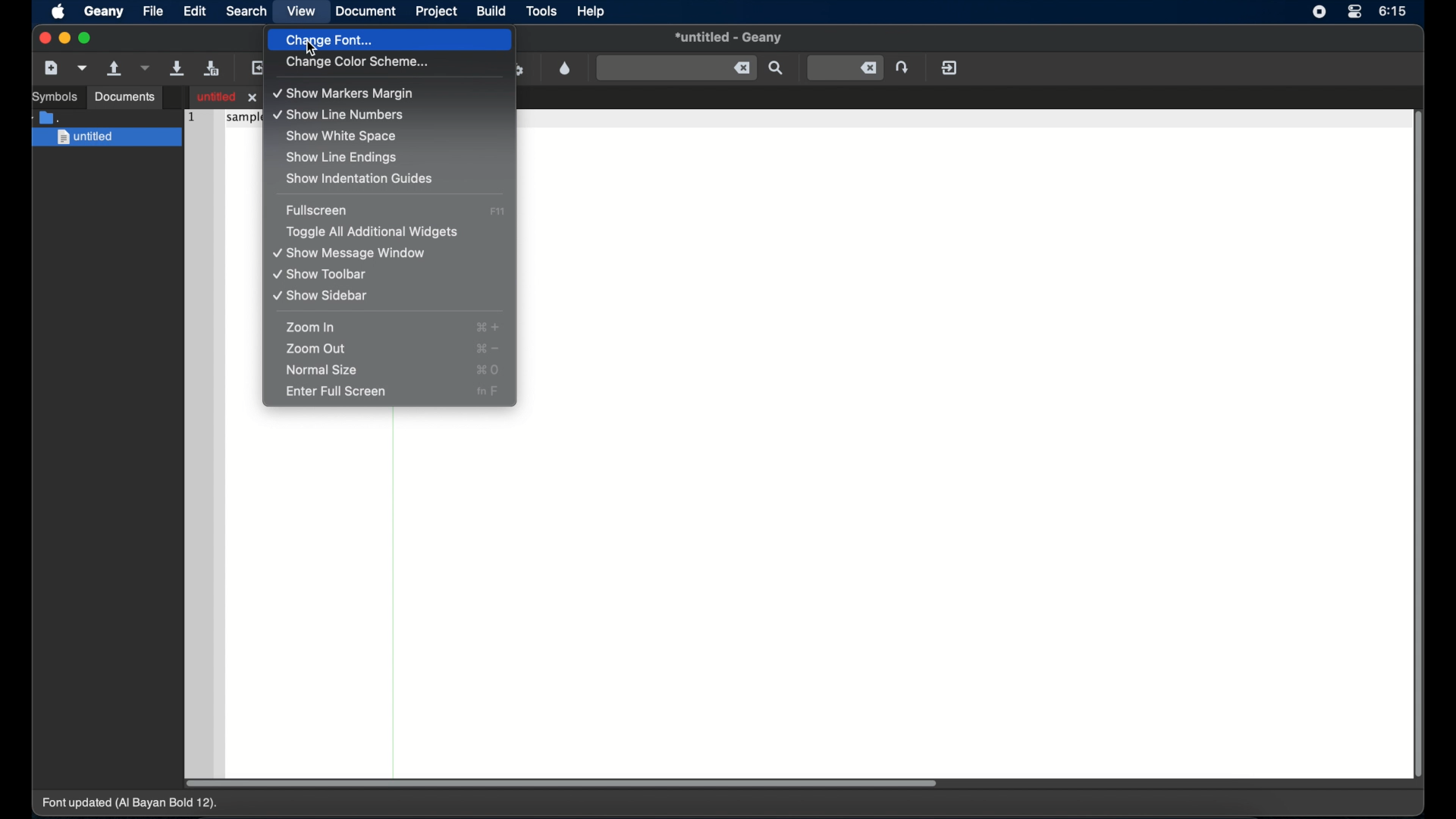 The width and height of the screenshot is (1456, 819). What do you see at coordinates (488, 370) in the screenshot?
I see `normal size shortcut` at bounding box center [488, 370].